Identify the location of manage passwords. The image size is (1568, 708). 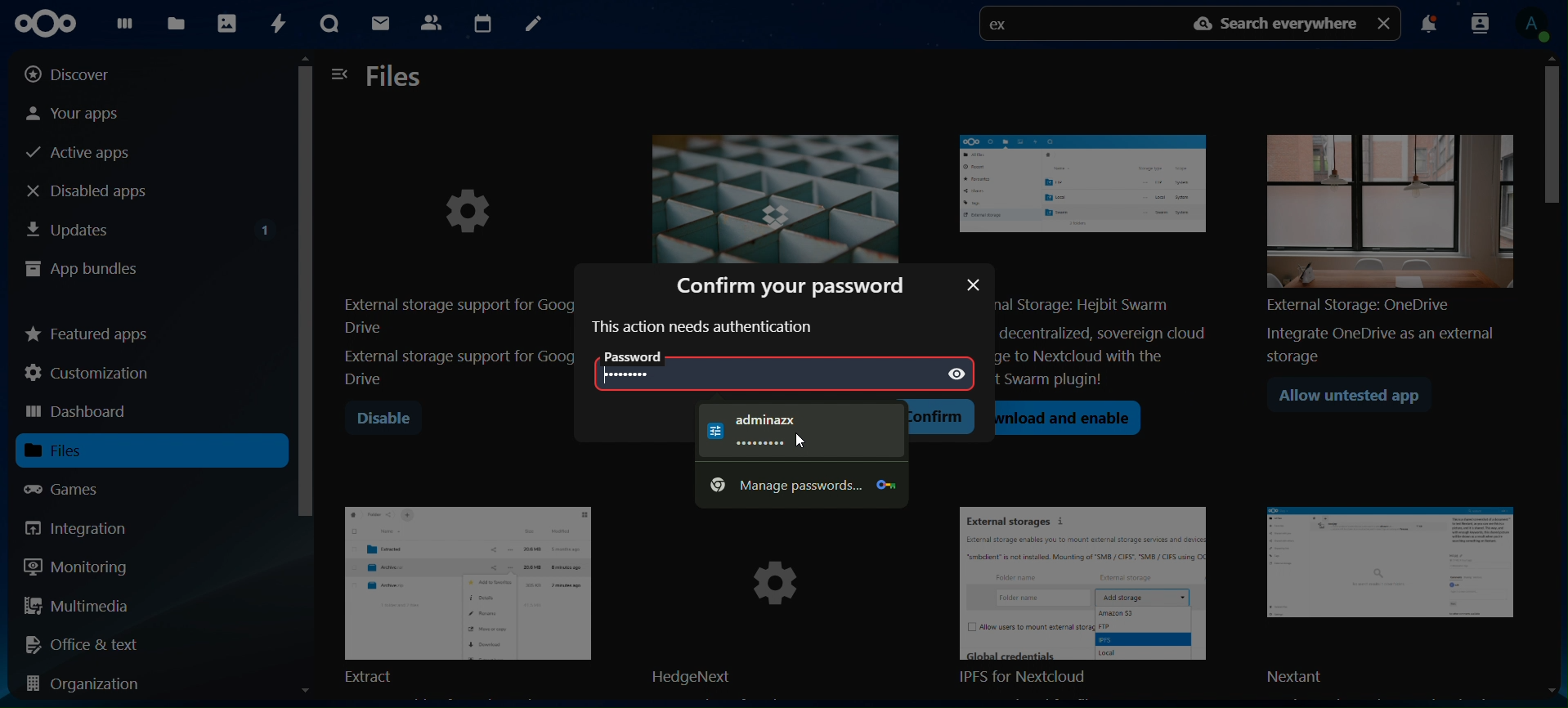
(800, 483).